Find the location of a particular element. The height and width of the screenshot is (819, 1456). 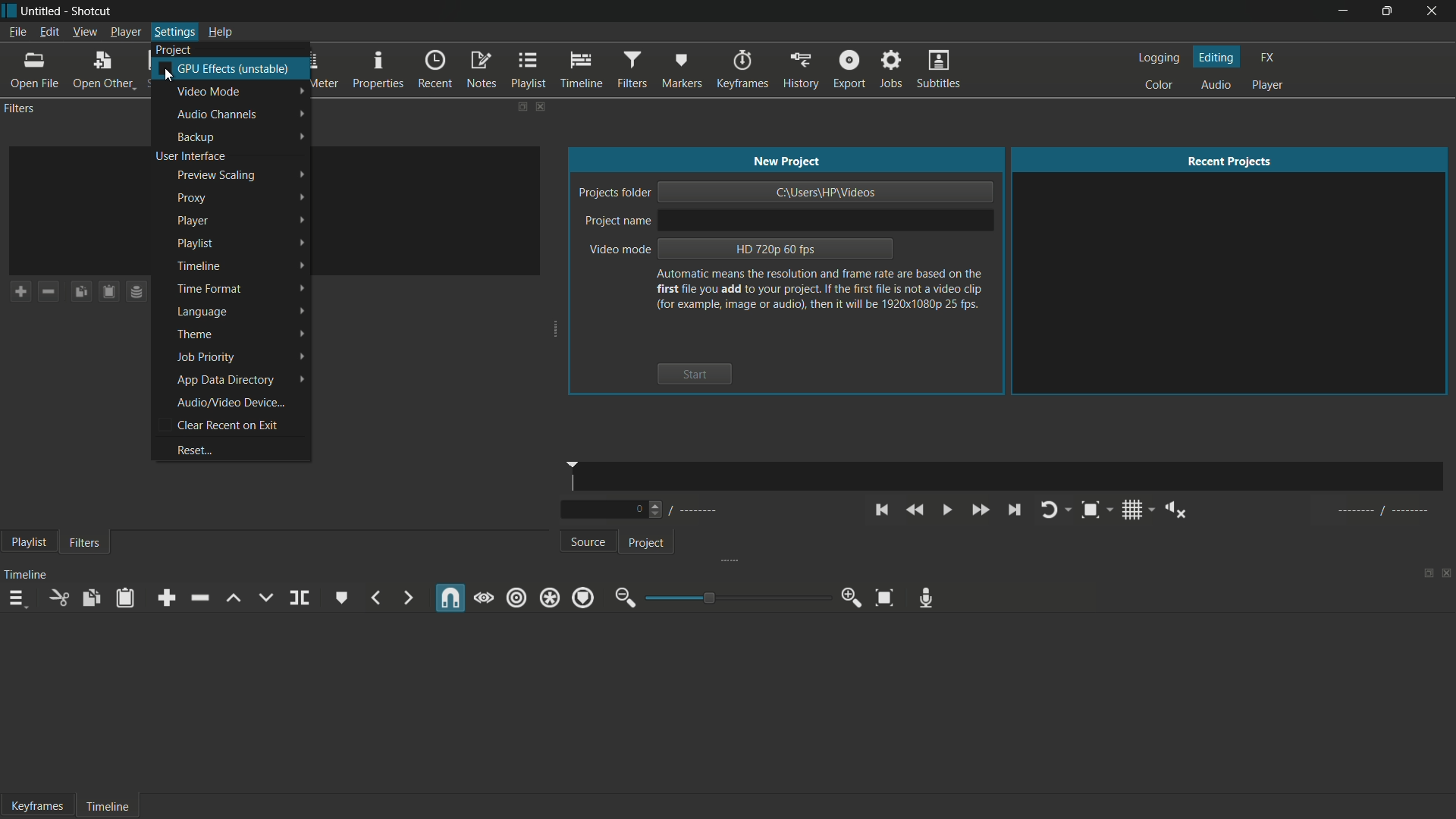

previous marker is located at coordinates (375, 599).